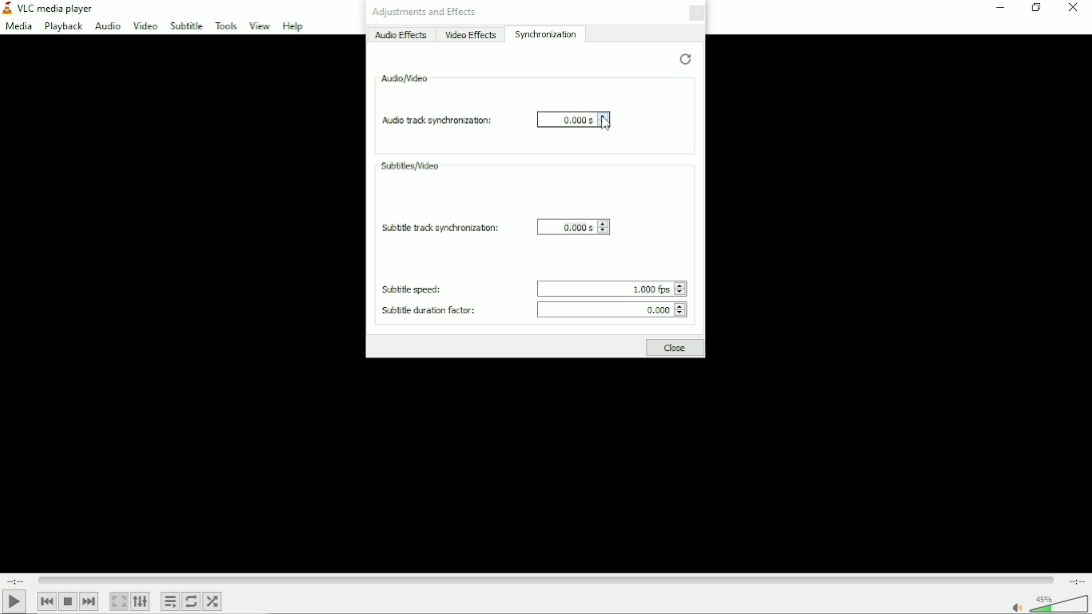 This screenshot has height=614, width=1092. I want to click on Audio track synchronization, so click(435, 119).